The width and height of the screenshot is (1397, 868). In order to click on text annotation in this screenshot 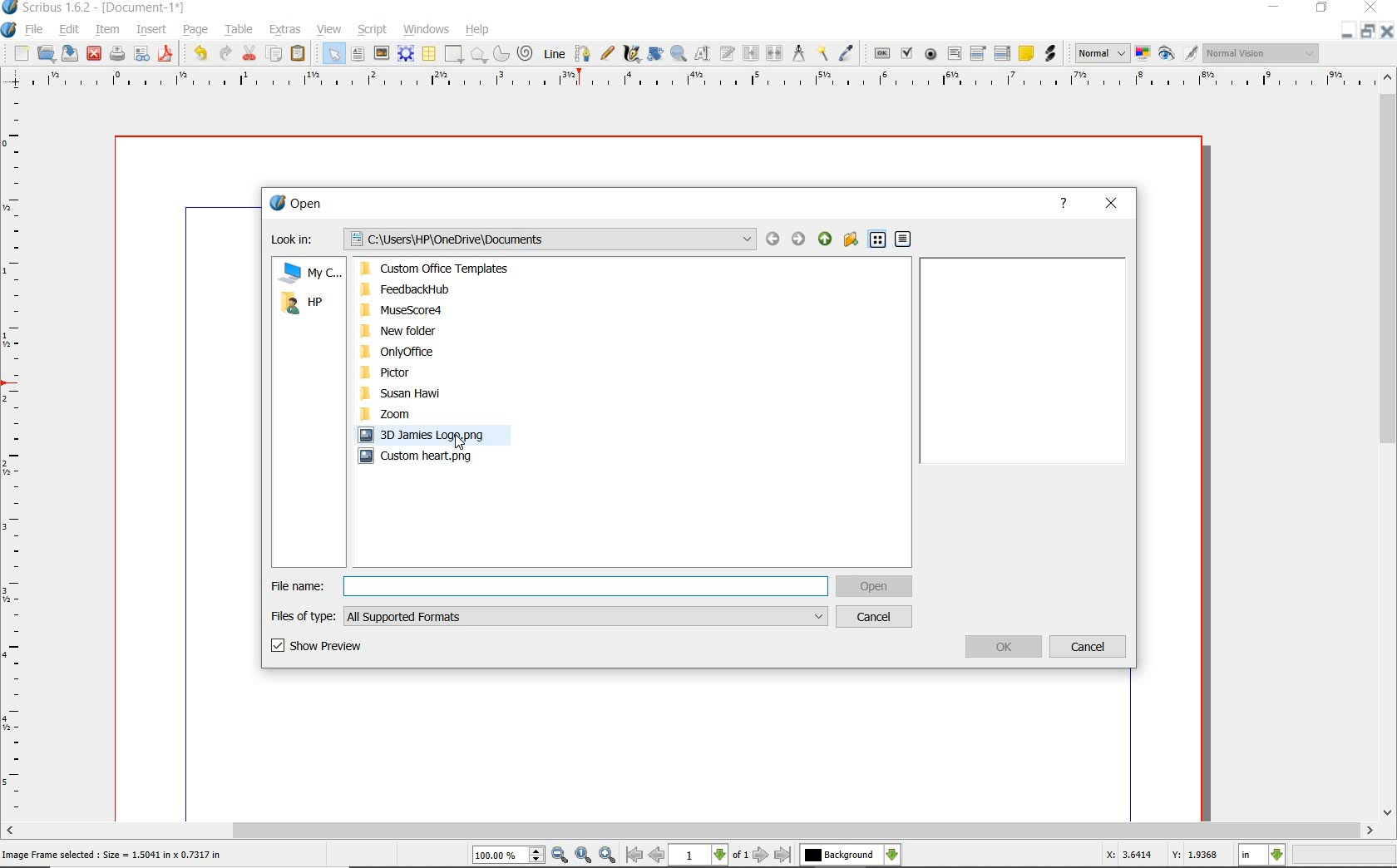, I will do `click(1027, 54)`.